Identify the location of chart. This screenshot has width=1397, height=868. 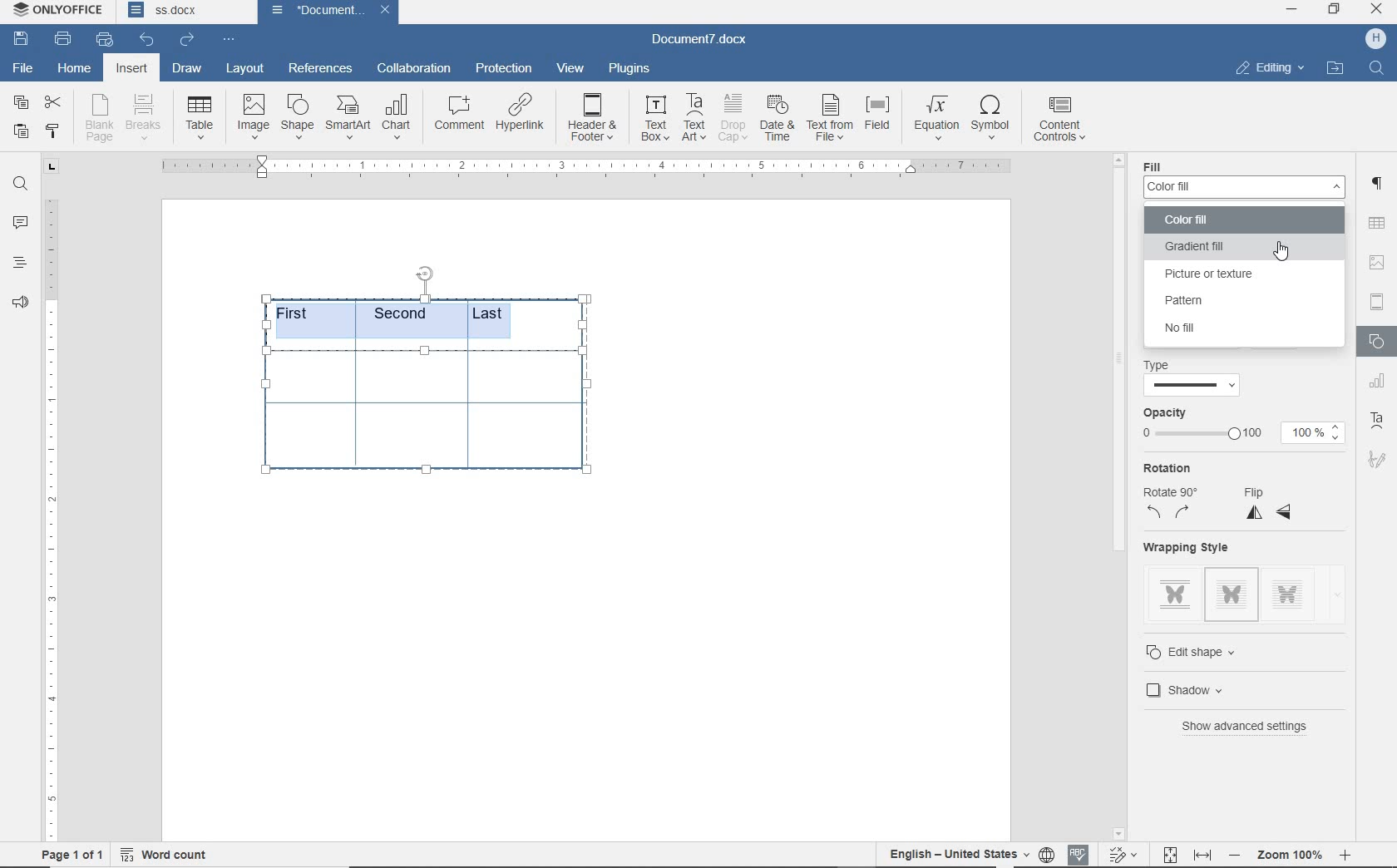
(399, 118).